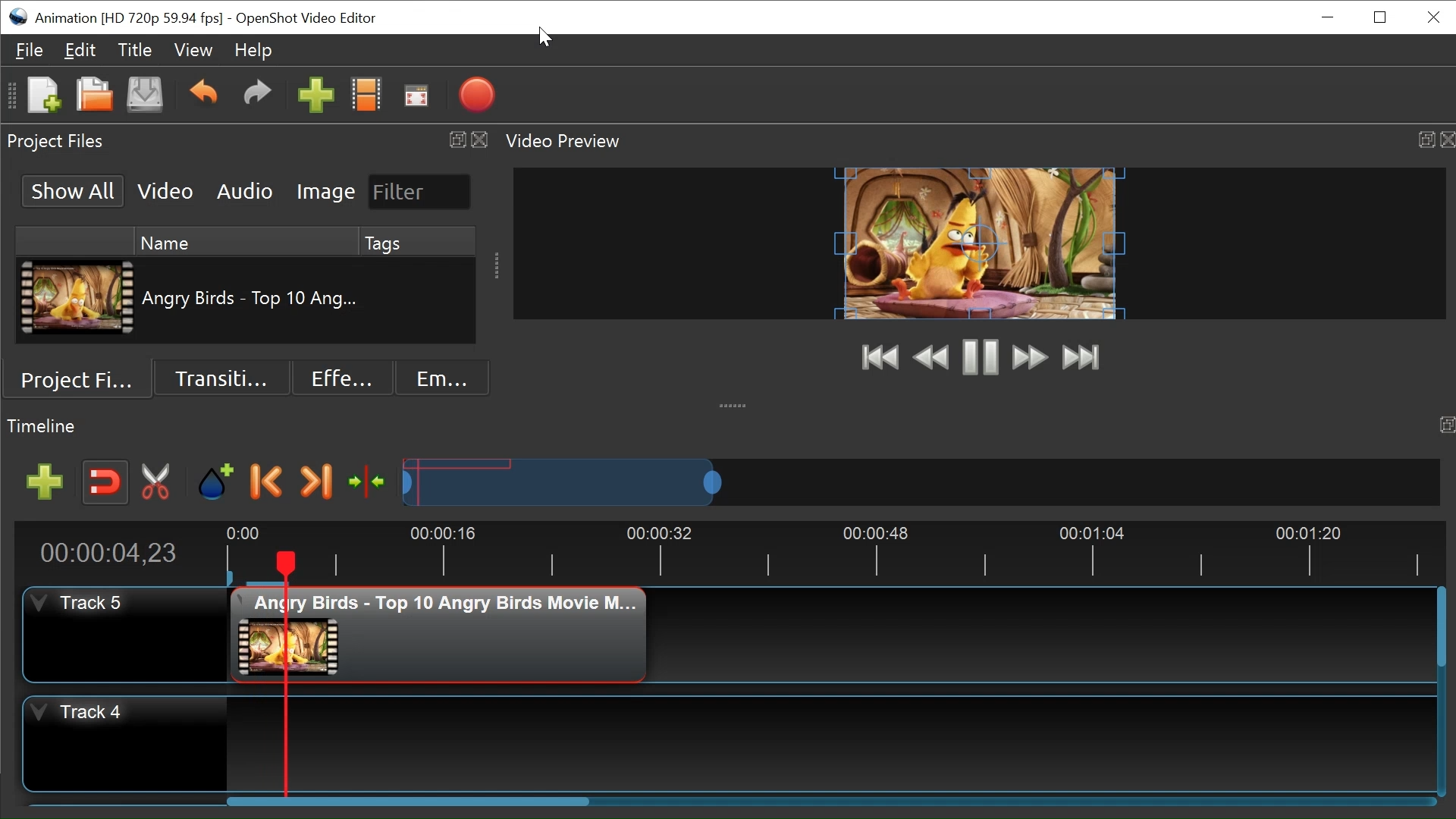  I want to click on Jump to Last, so click(1081, 358).